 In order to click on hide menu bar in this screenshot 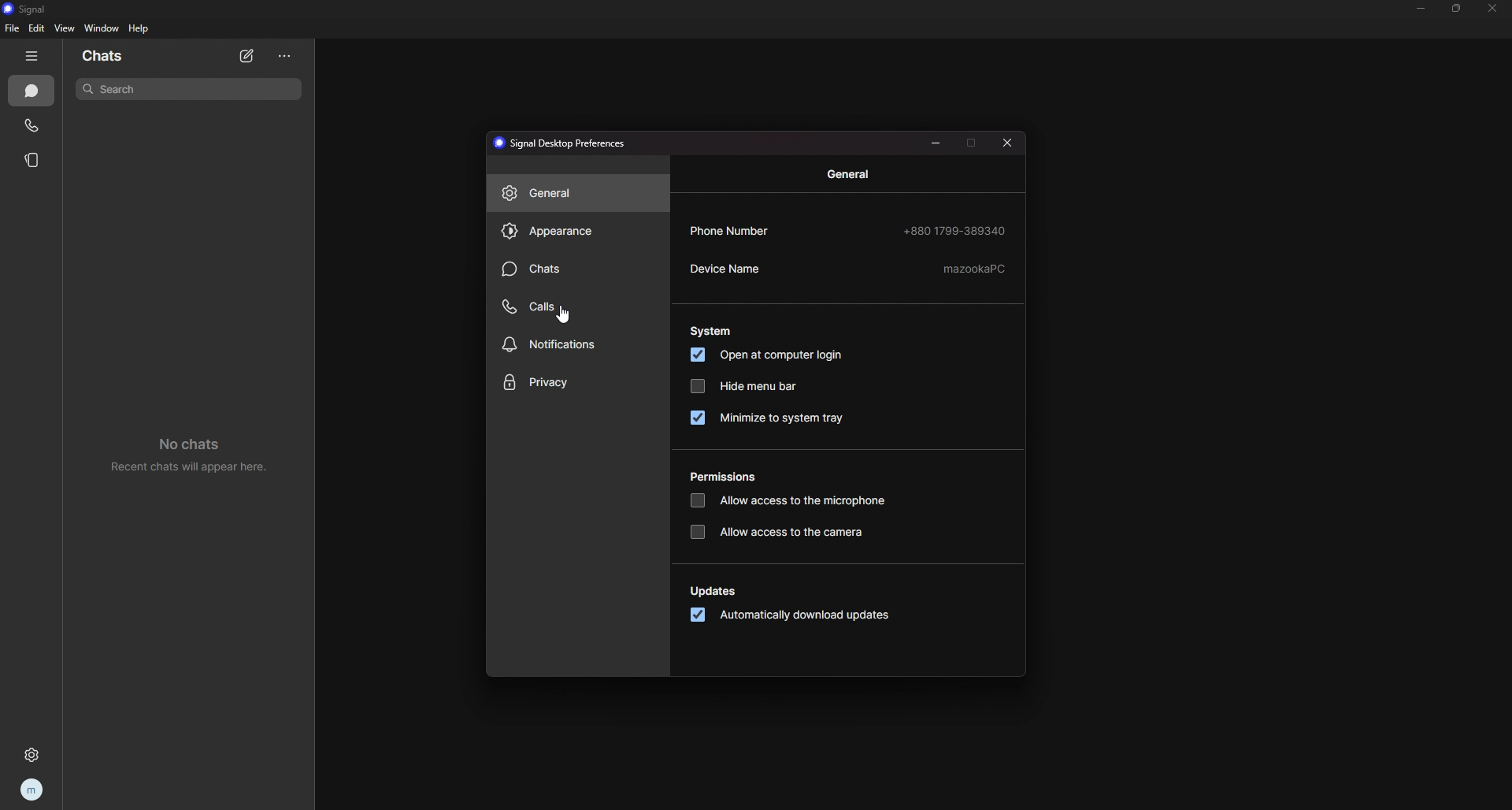, I will do `click(765, 386)`.